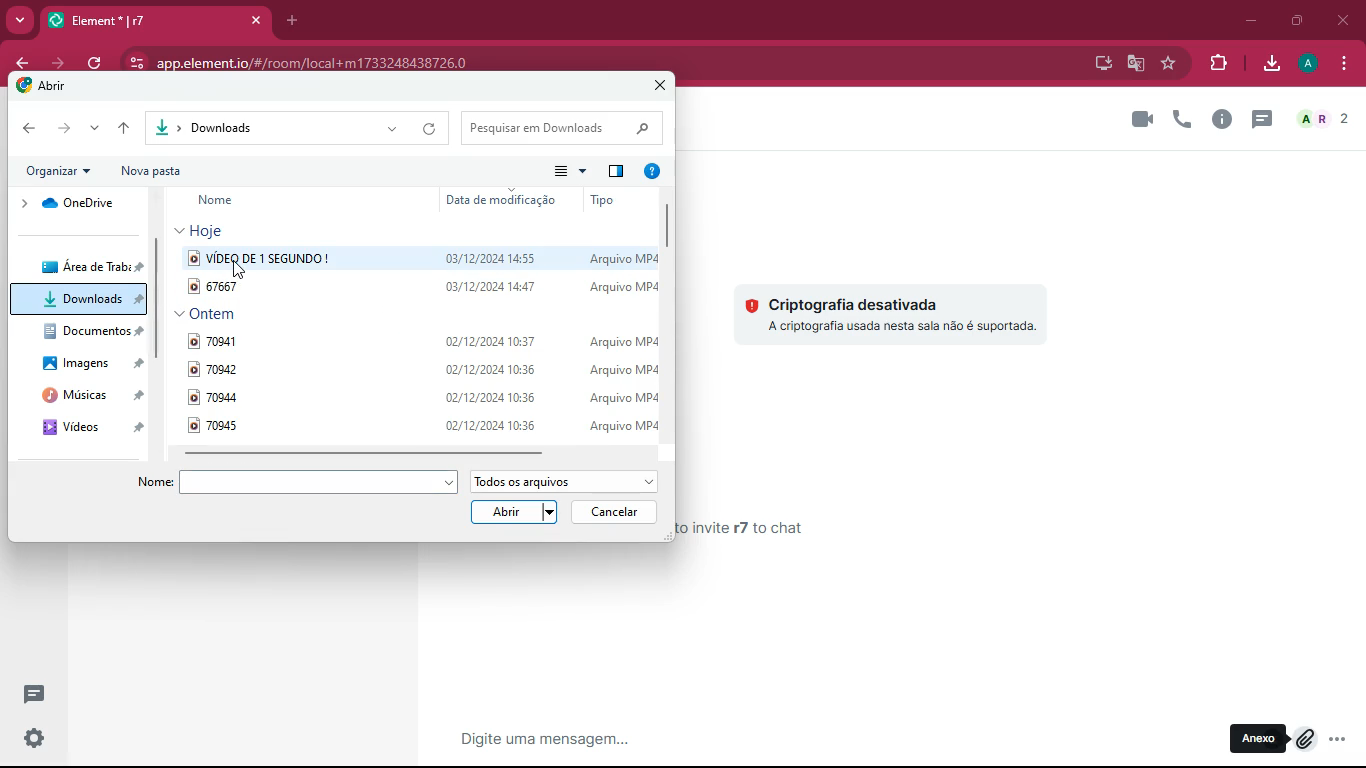 Image resolution: width=1366 pixels, height=768 pixels. Describe the element at coordinates (296, 128) in the screenshot. I see `downloads` at that location.